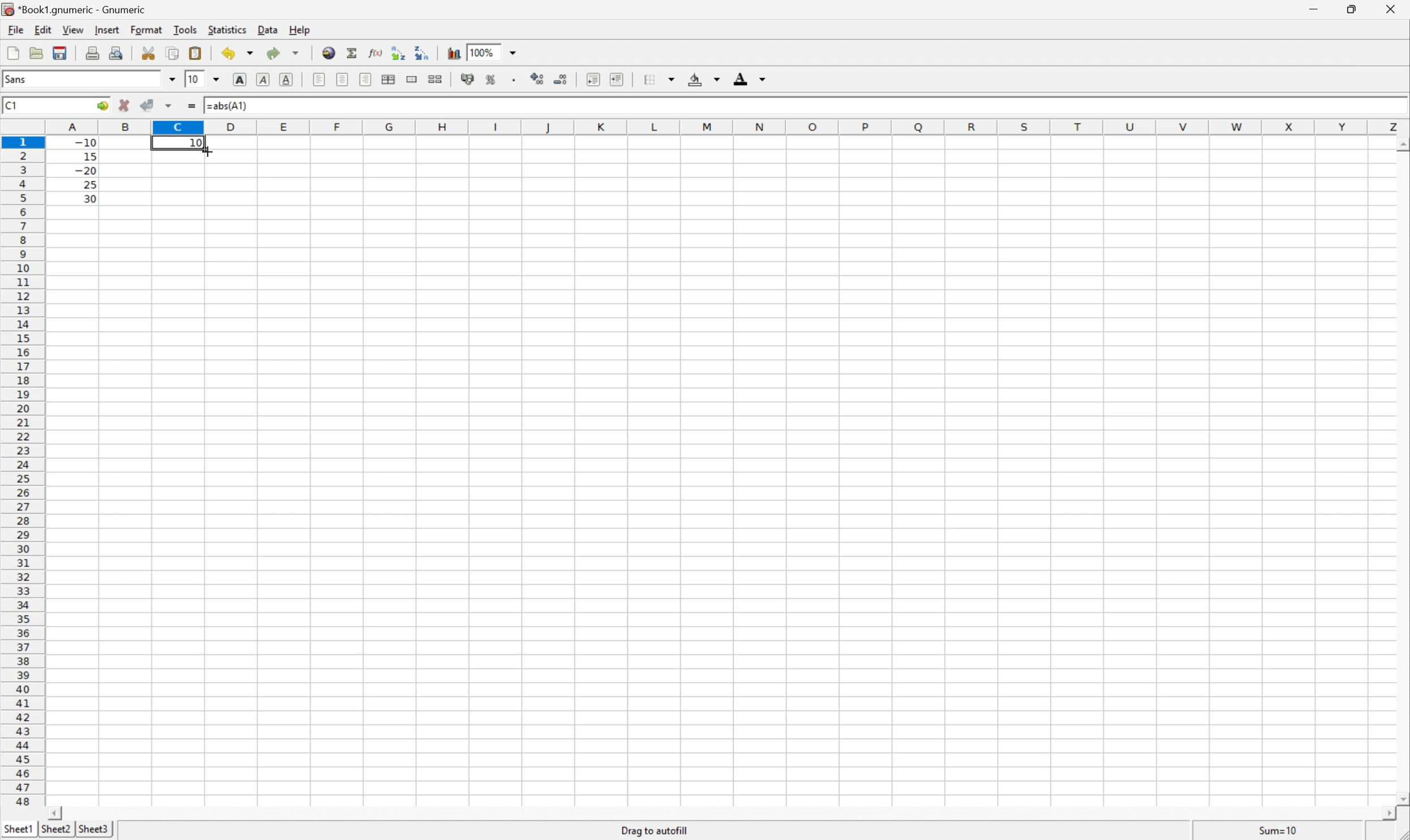 The height and width of the screenshot is (840, 1410). What do you see at coordinates (1279, 831) in the screenshot?
I see `Sum =-10` at bounding box center [1279, 831].